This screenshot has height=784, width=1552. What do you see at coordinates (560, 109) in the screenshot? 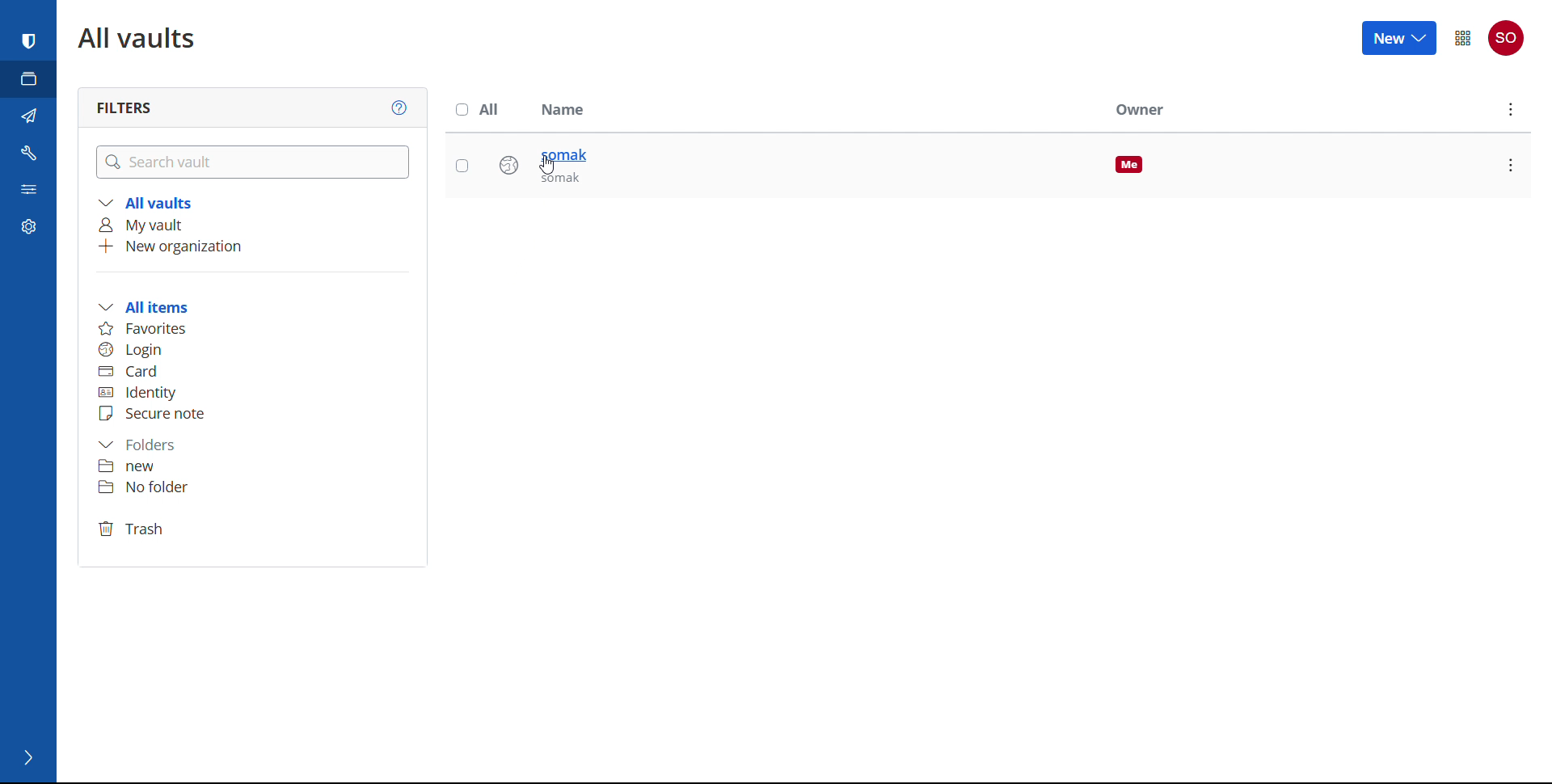
I see `name` at bounding box center [560, 109].